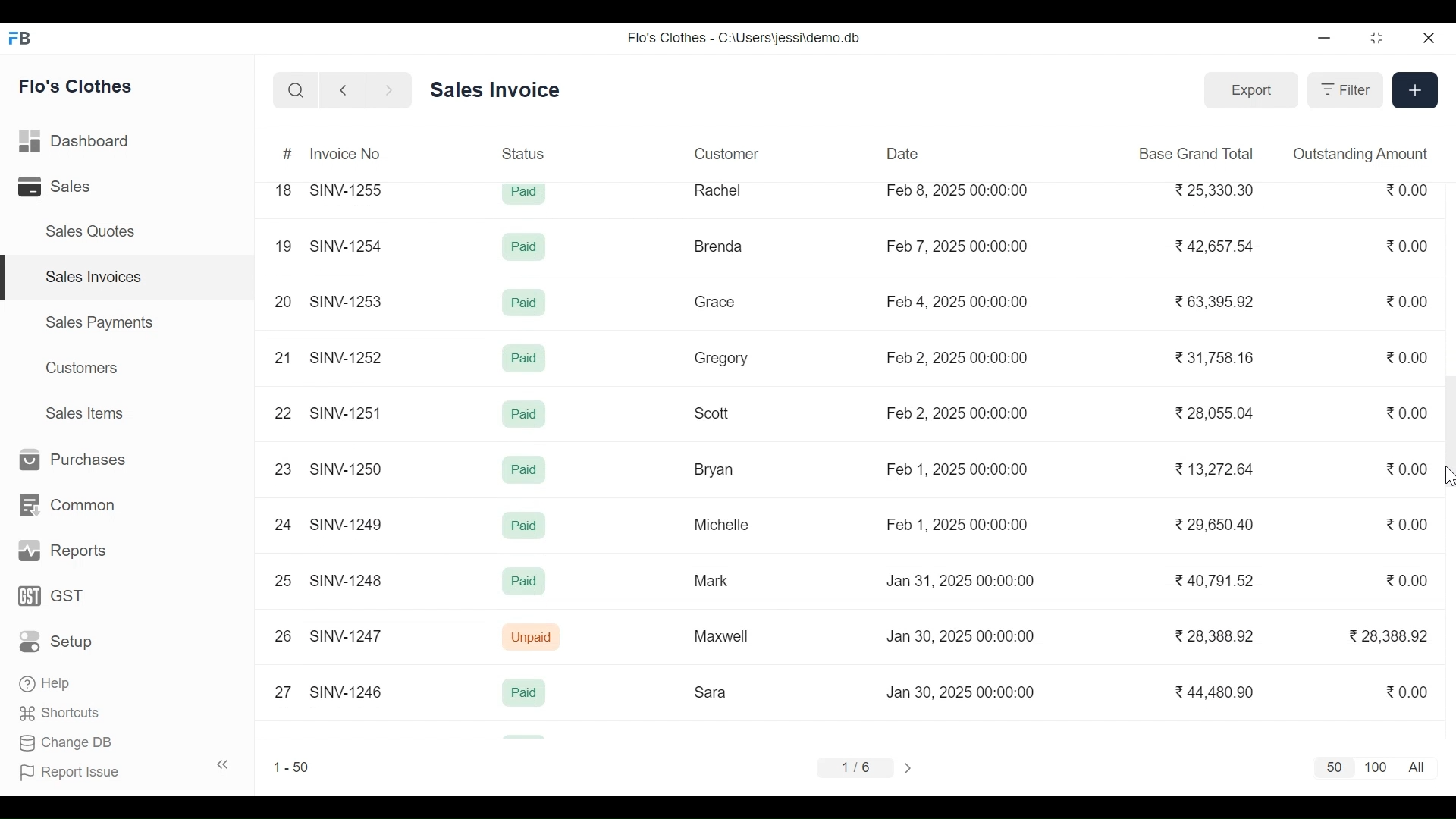 This screenshot has width=1456, height=819. I want to click on Mark, so click(710, 579).